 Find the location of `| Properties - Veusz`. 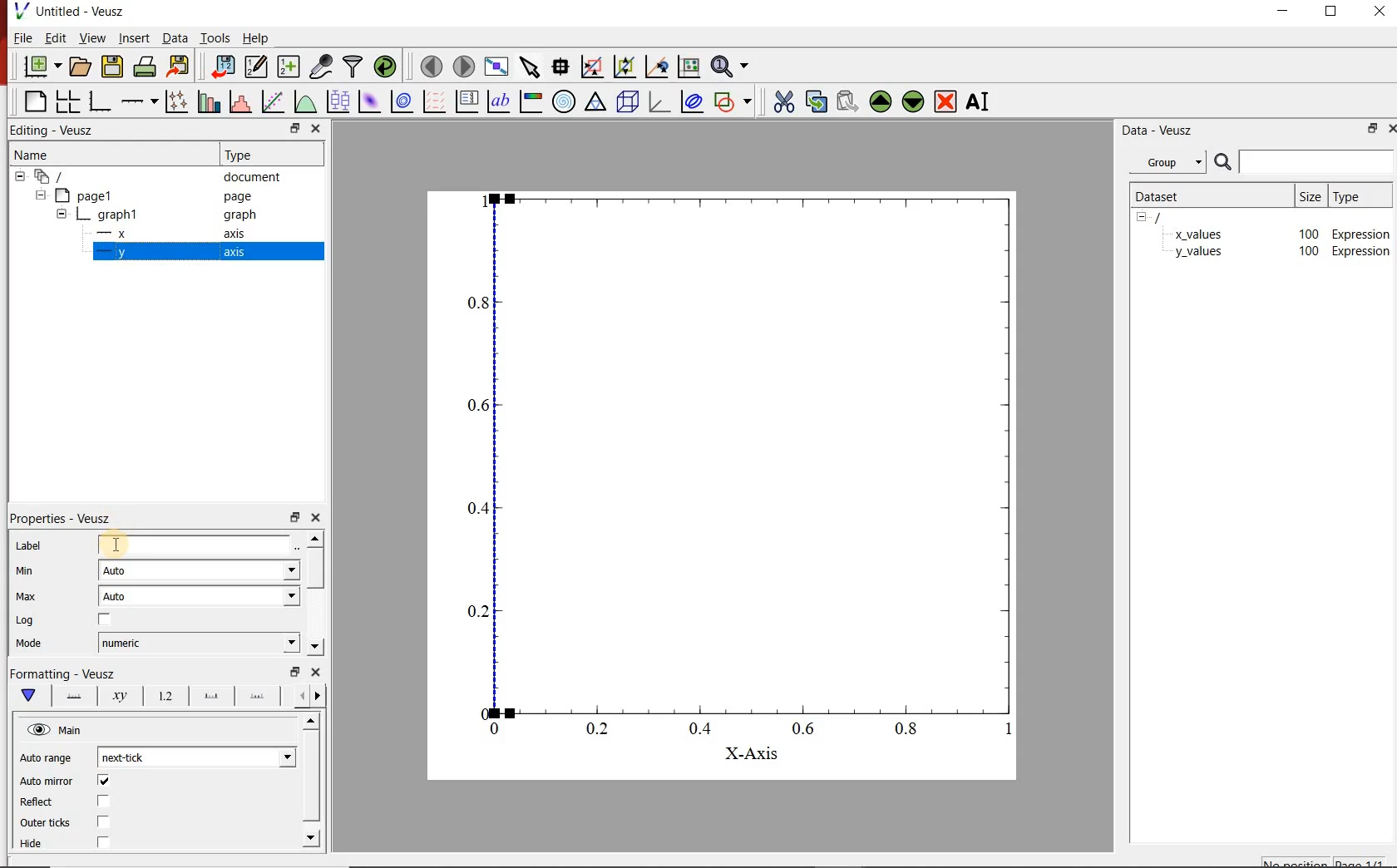

| Properties - Veusz is located at coordinates (63, 515).